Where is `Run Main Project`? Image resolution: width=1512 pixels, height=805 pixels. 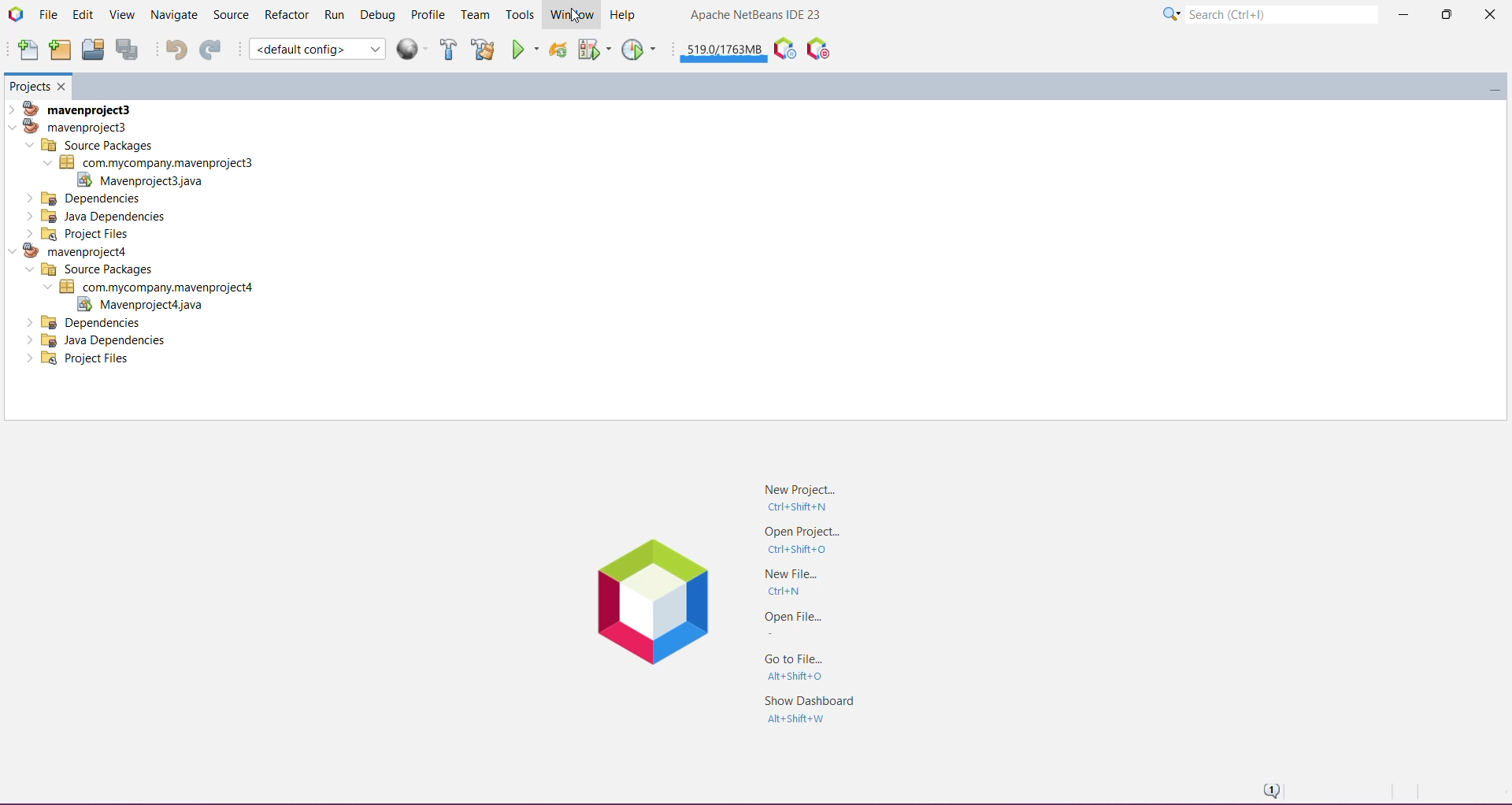
Run Main Project is located at coordinates (525, 49).